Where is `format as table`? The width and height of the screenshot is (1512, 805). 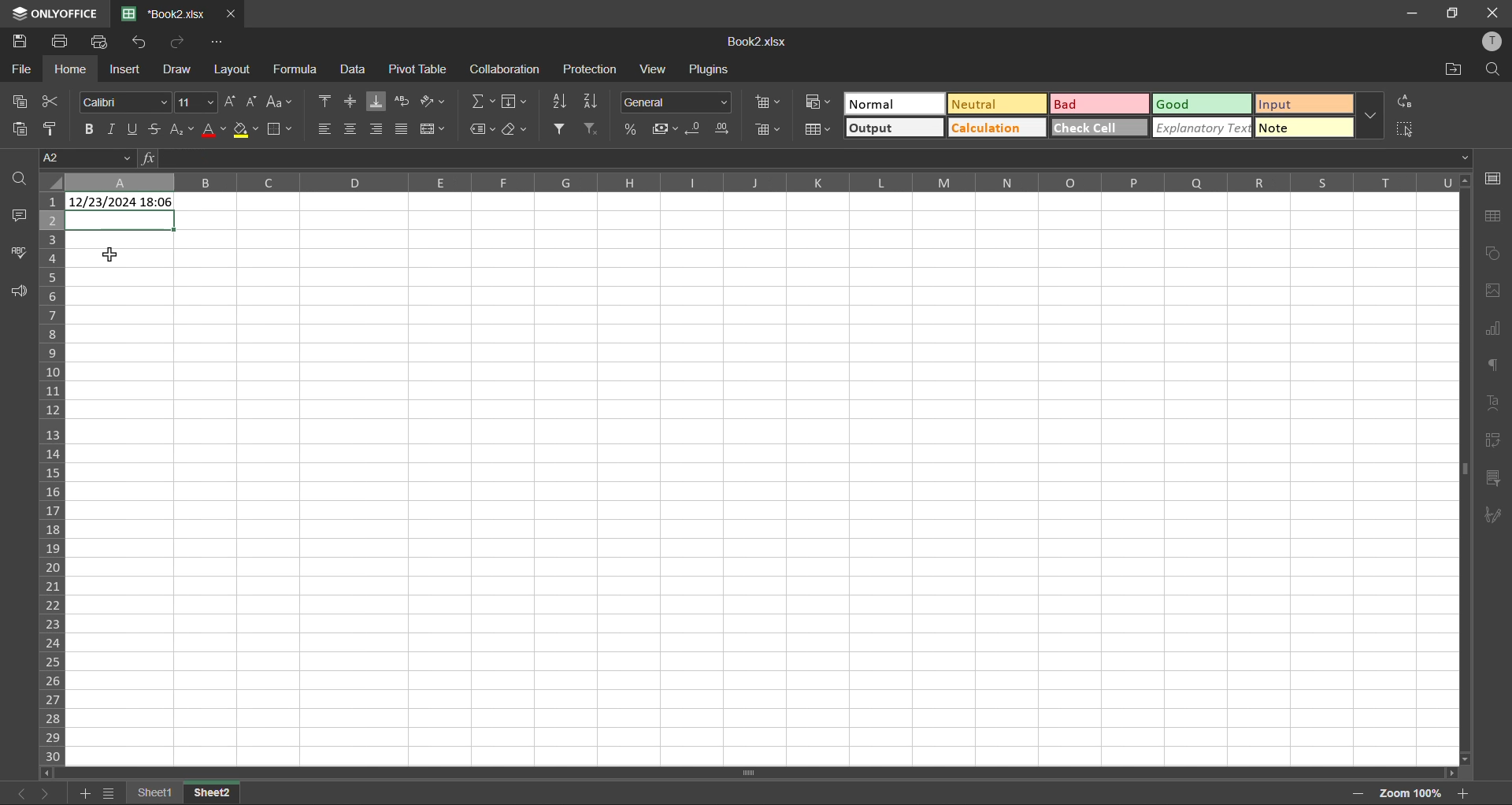 format as table is located at coordinates (821, 131).